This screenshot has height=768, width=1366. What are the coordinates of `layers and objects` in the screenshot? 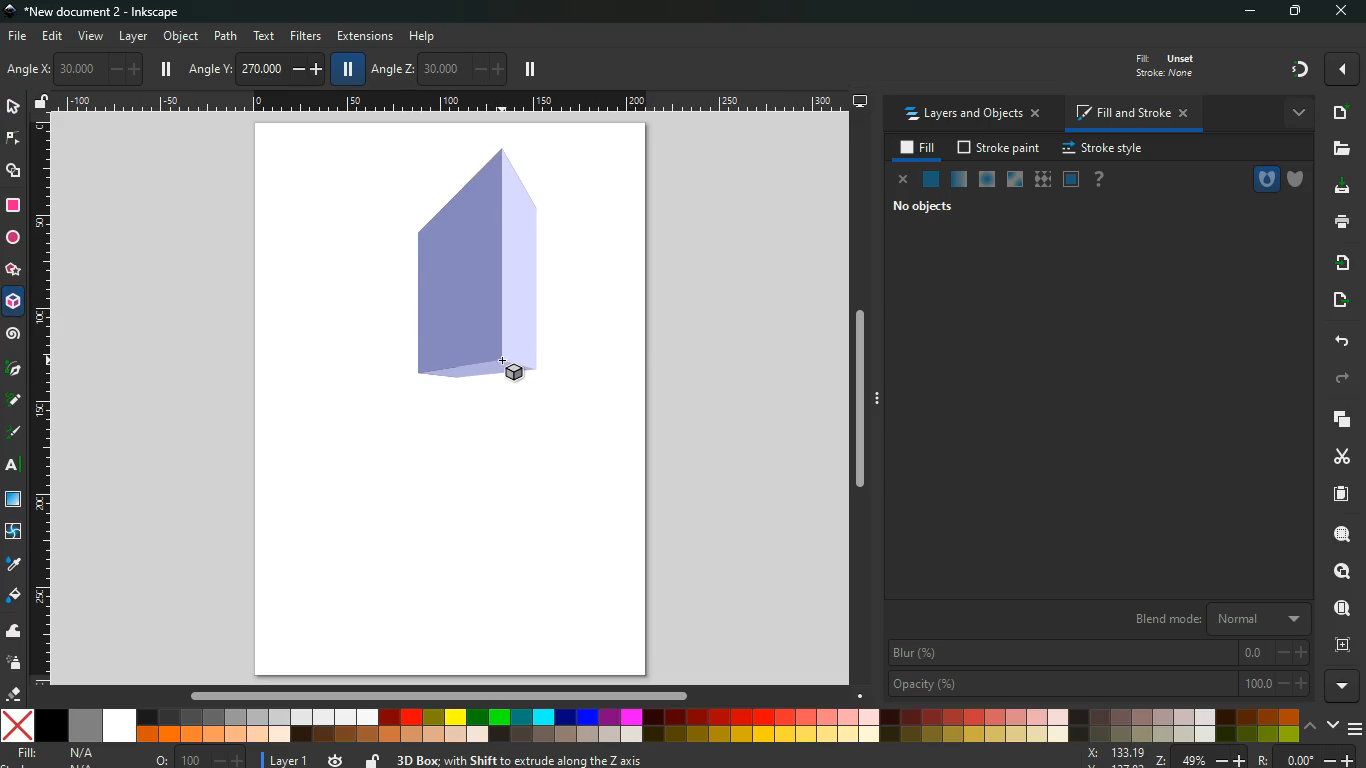 It's located at (972, 115).